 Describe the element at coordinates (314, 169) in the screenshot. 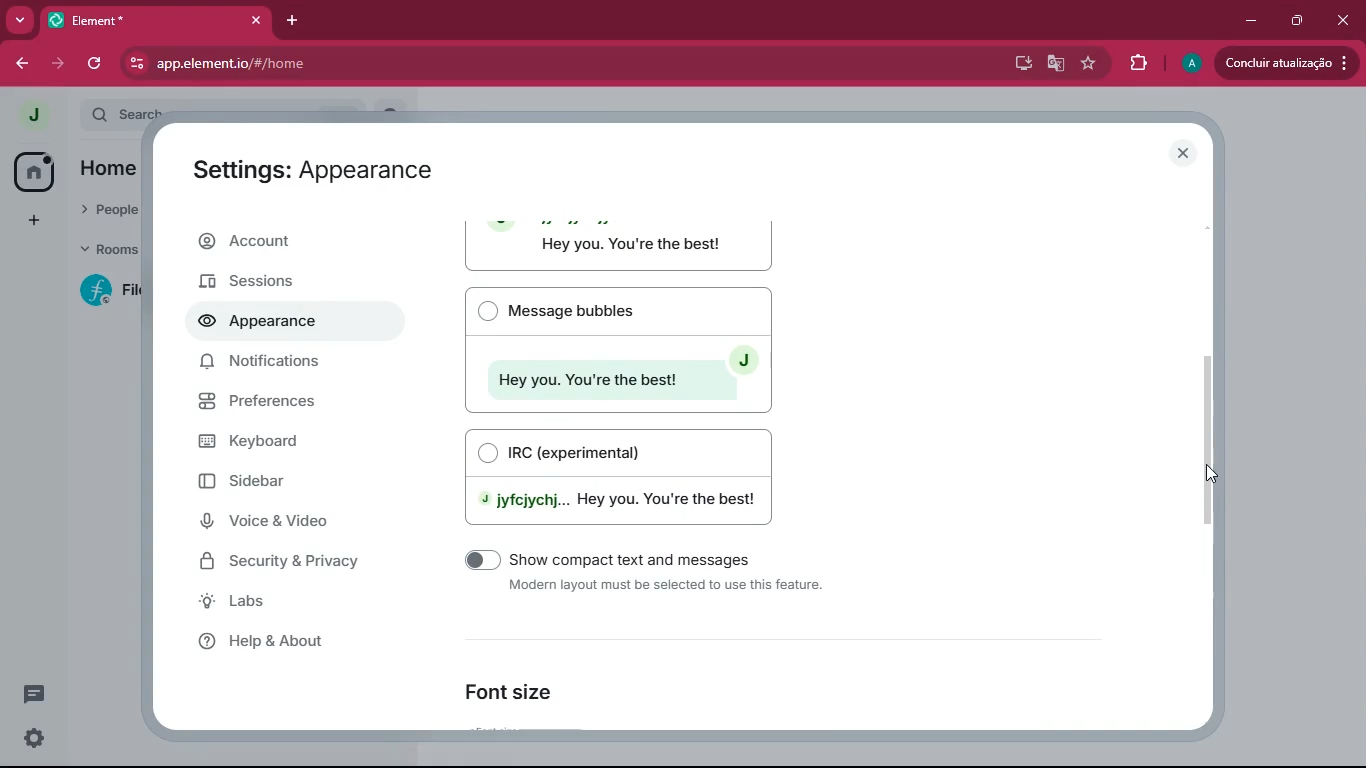

I see `Settings: Appearance` at that location.